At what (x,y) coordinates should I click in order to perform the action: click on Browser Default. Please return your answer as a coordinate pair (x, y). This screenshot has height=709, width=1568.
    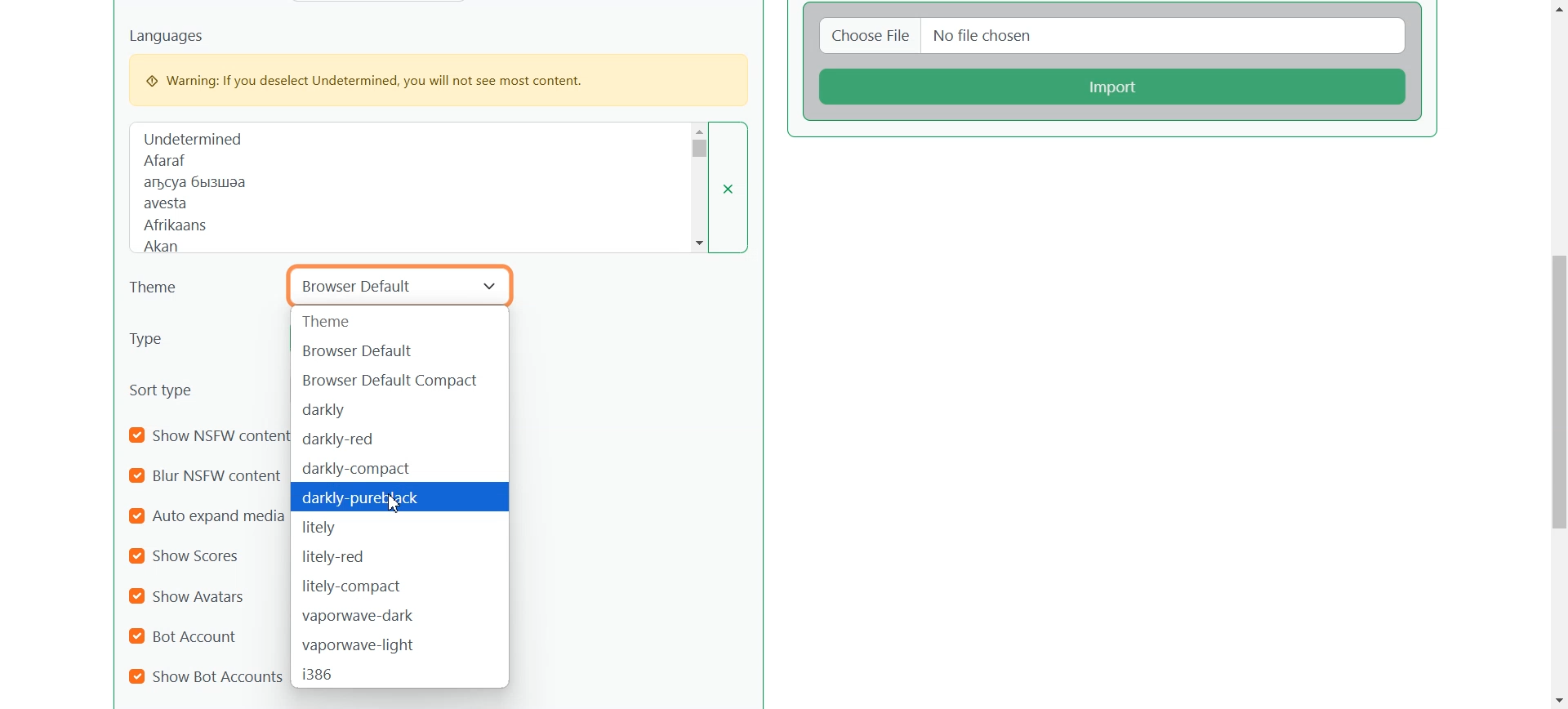
    Looking at the image, I should click on (401, 283).